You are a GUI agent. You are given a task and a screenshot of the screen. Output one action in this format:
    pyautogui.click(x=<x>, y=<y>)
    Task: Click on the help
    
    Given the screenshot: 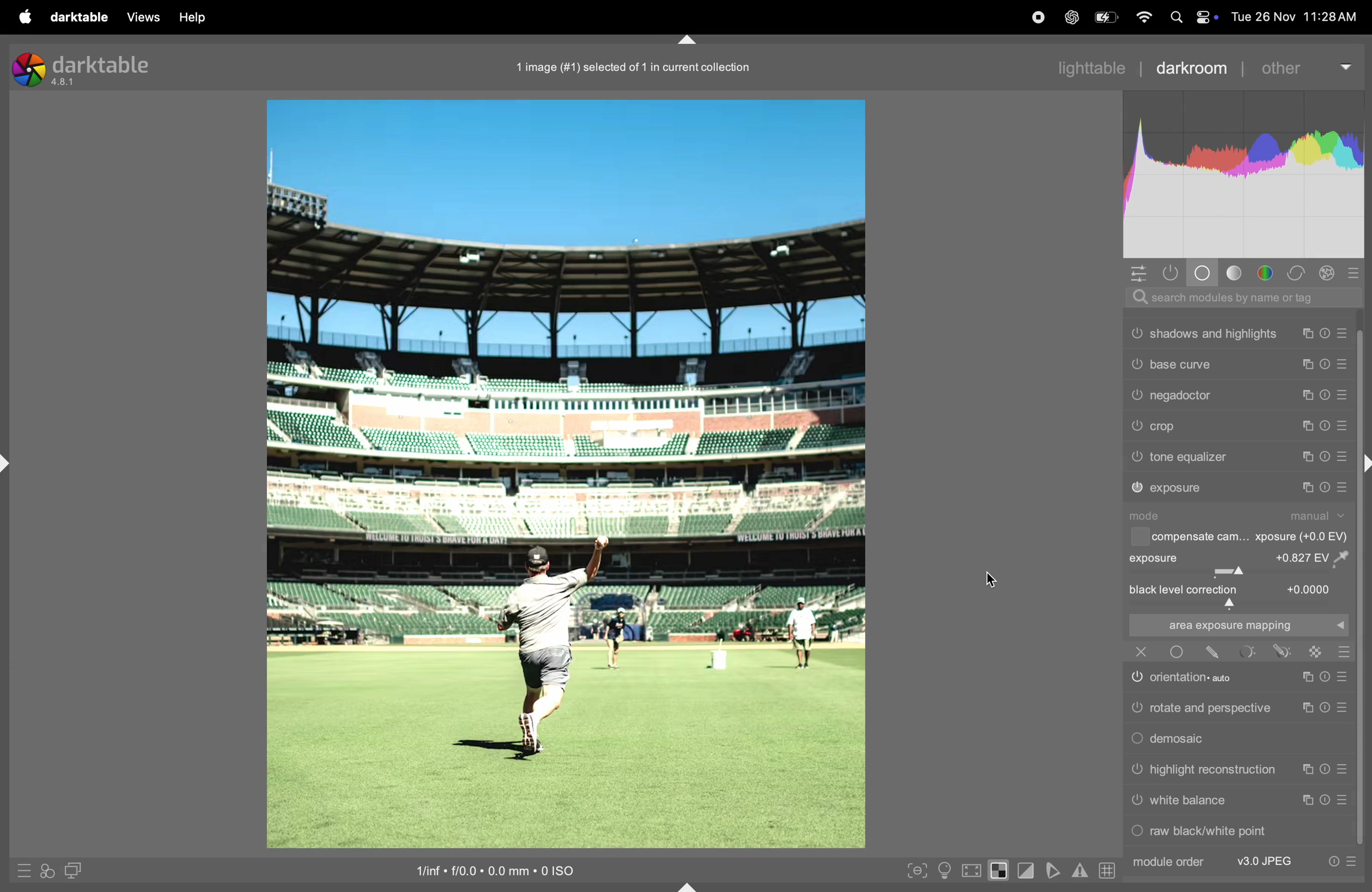 What is the action you would take?
    pyautogui.click(x=196, y=17)
    